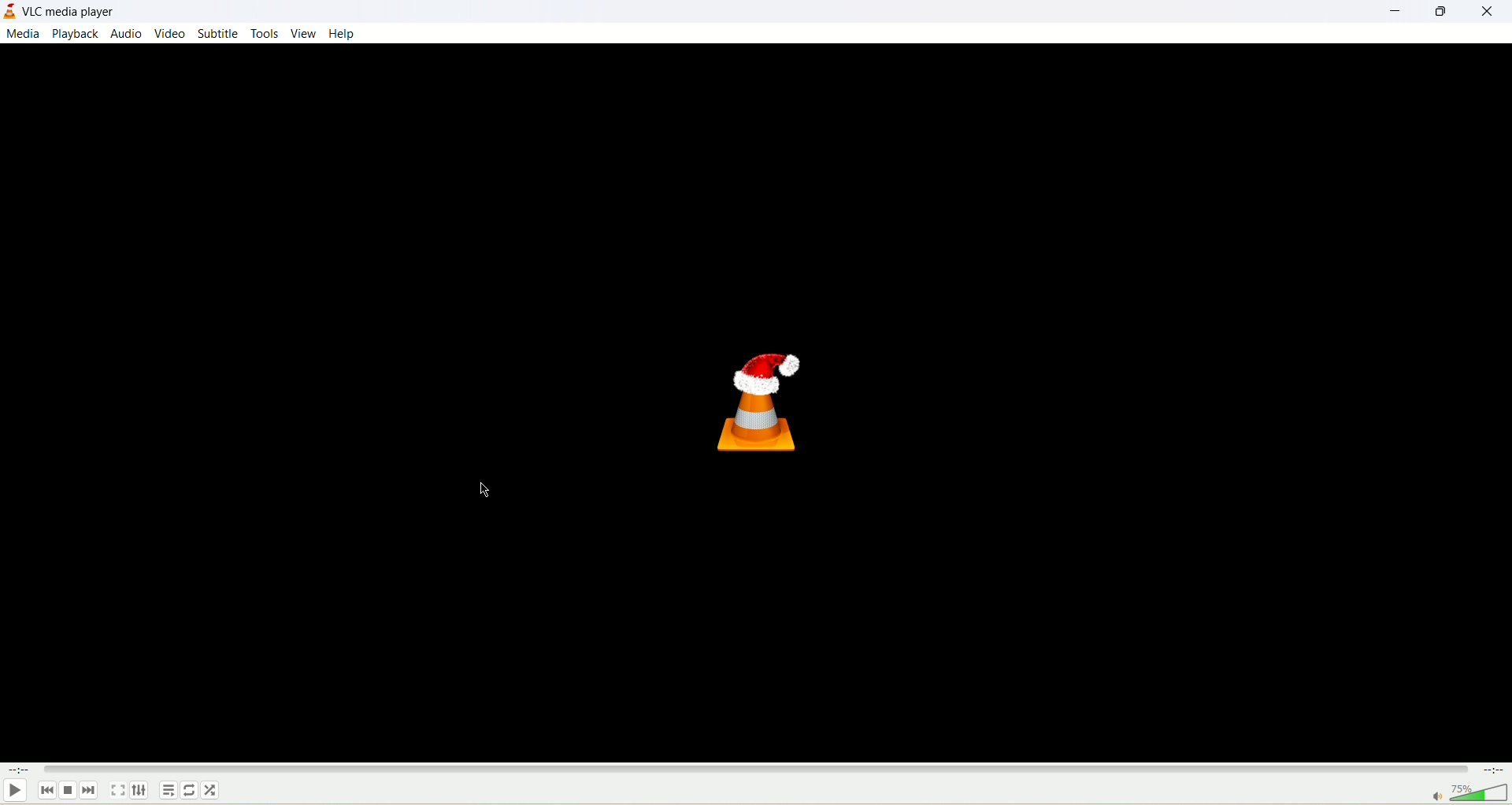  Describe the element at coordinates (1490, 11) in the screenshot. I see `close` at that location.